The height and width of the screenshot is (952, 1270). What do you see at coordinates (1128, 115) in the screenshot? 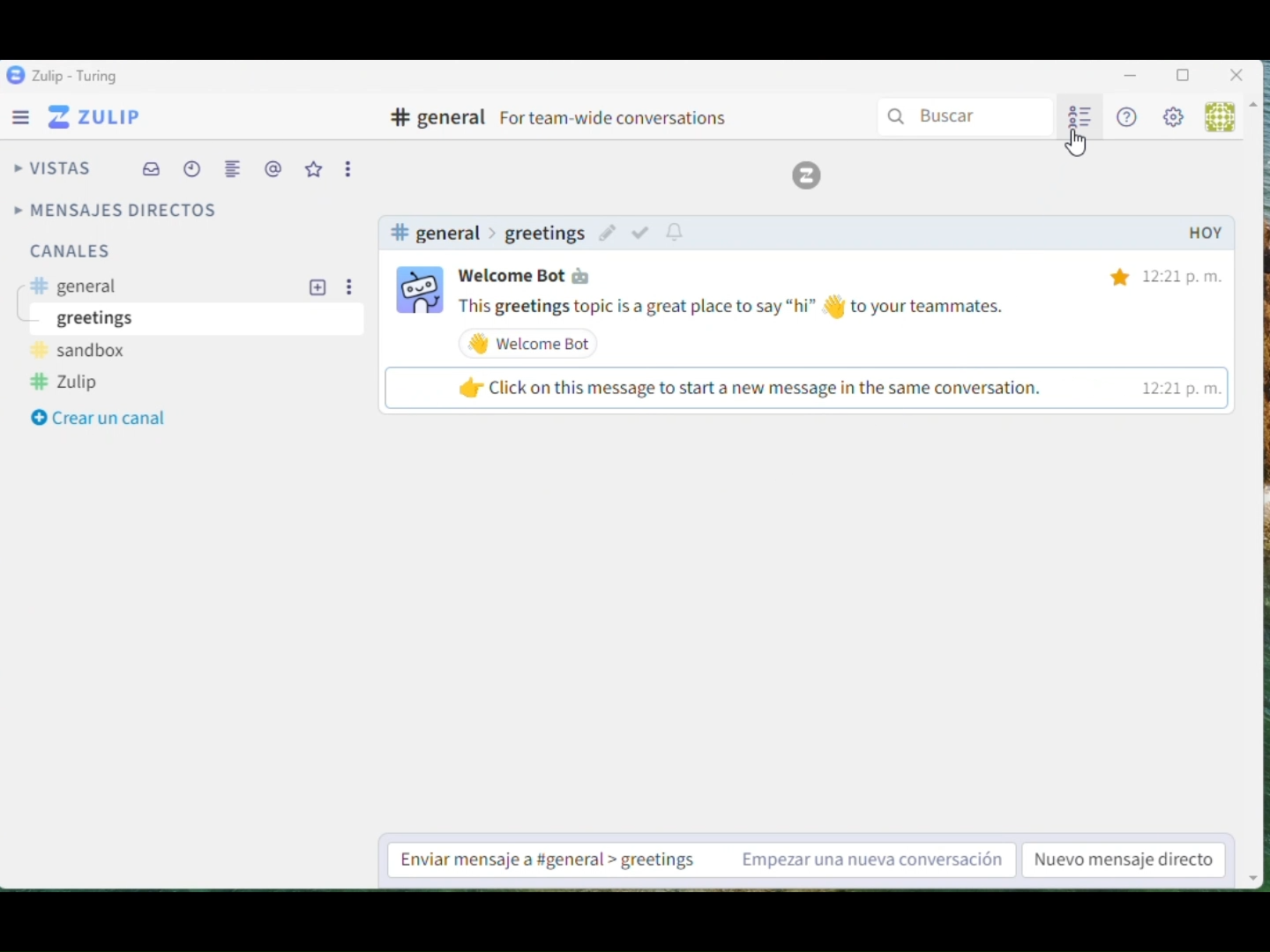
I see `Help` at bounding box center [1128, 115].